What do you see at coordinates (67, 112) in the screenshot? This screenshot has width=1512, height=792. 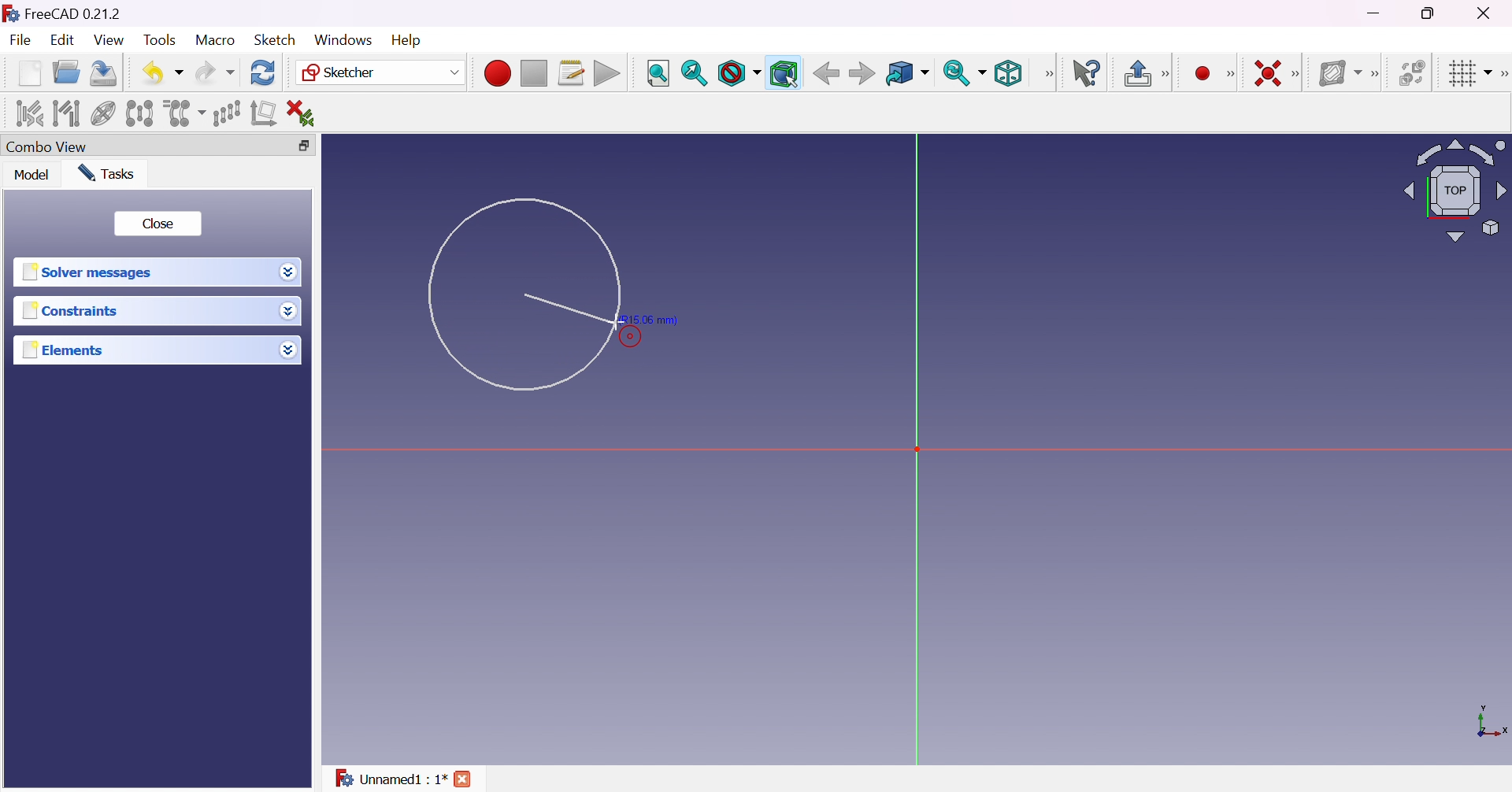 I see `Select associated geometry` at bounding box center [67, 112].